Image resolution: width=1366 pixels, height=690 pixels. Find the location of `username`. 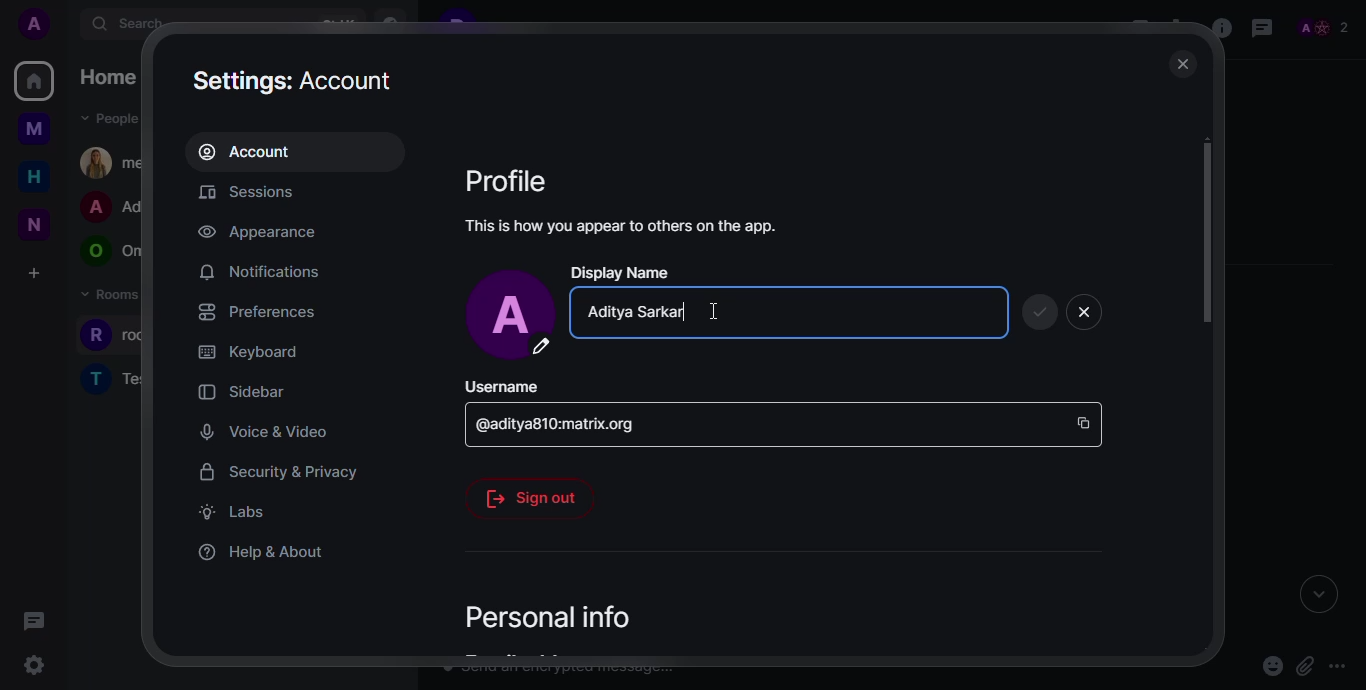

username is located at coordinates (502, 388).